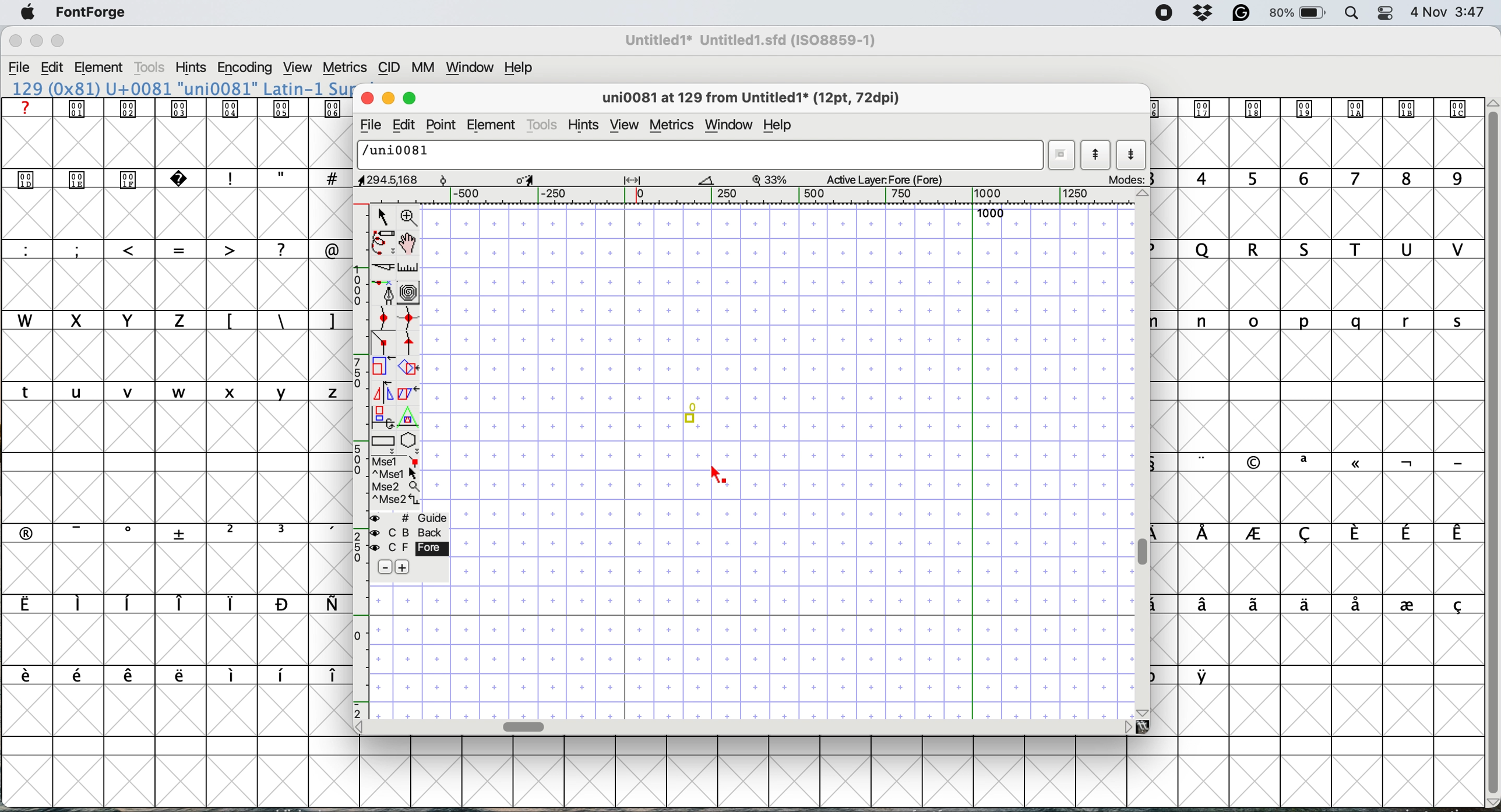 The width and height of the screenshot is (1501, 812). What do you see at coordinates (91, 16) in the screenshot?
I see `FontForge` at bounding box center [91, 16].